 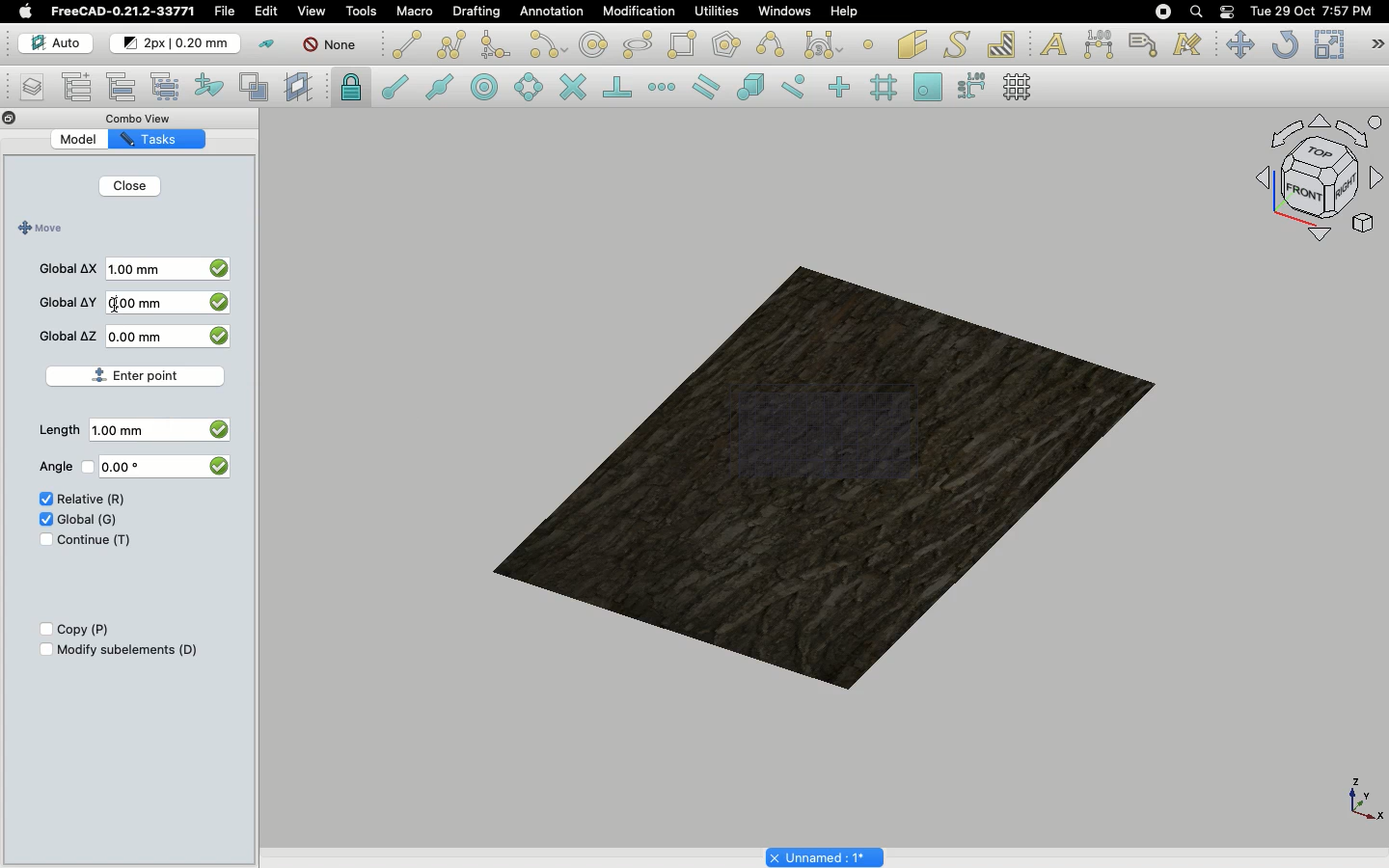 What do you see at coordinates (139, 271) in the screenshot?
I see `1.00` at bounding box center [139, 271].